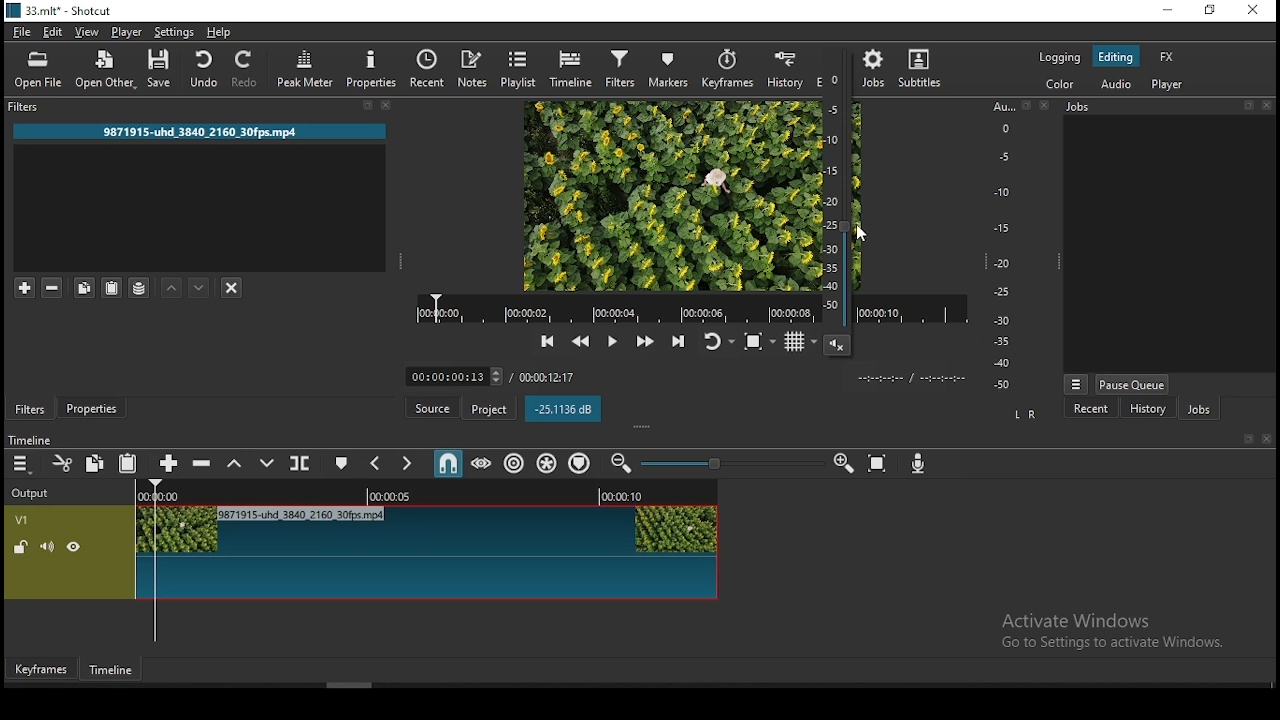 The height and width of the screenshot is (720, 1280). I want to click on source, so click(437, 409).